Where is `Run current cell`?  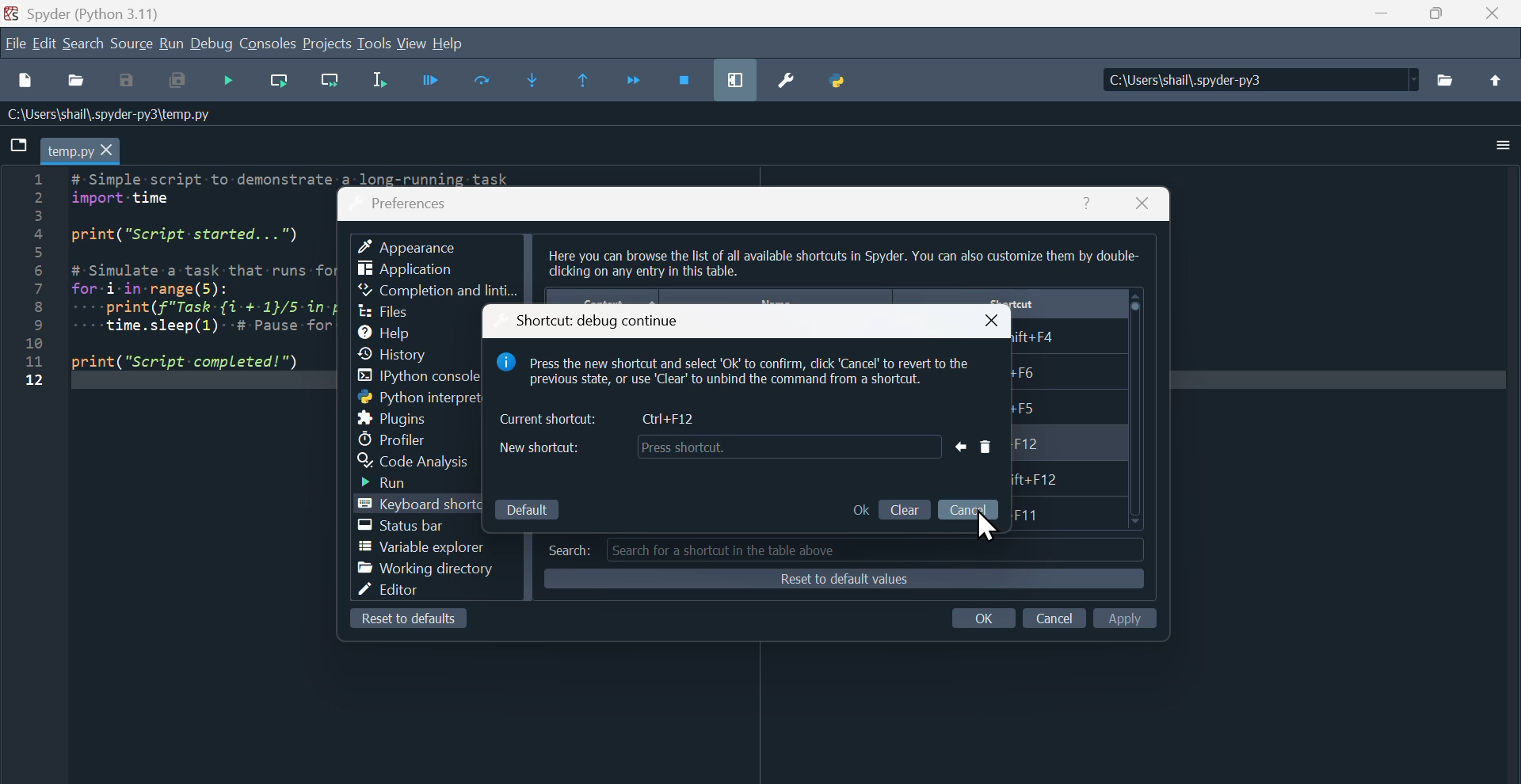 Run current cell is located at coordinates (483, 81).